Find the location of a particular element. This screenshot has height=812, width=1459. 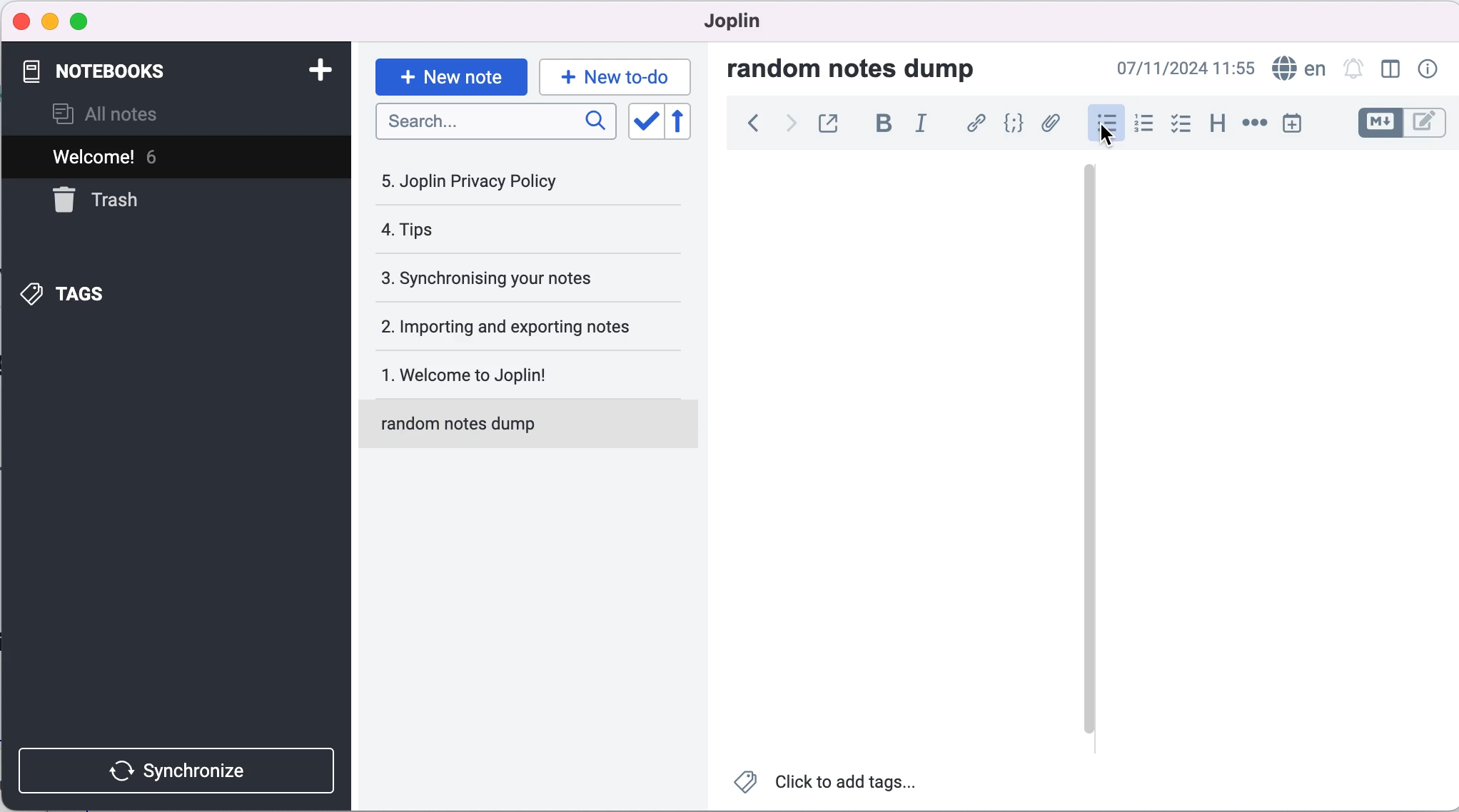

blank canvas is located at coordinates (1278, 456).